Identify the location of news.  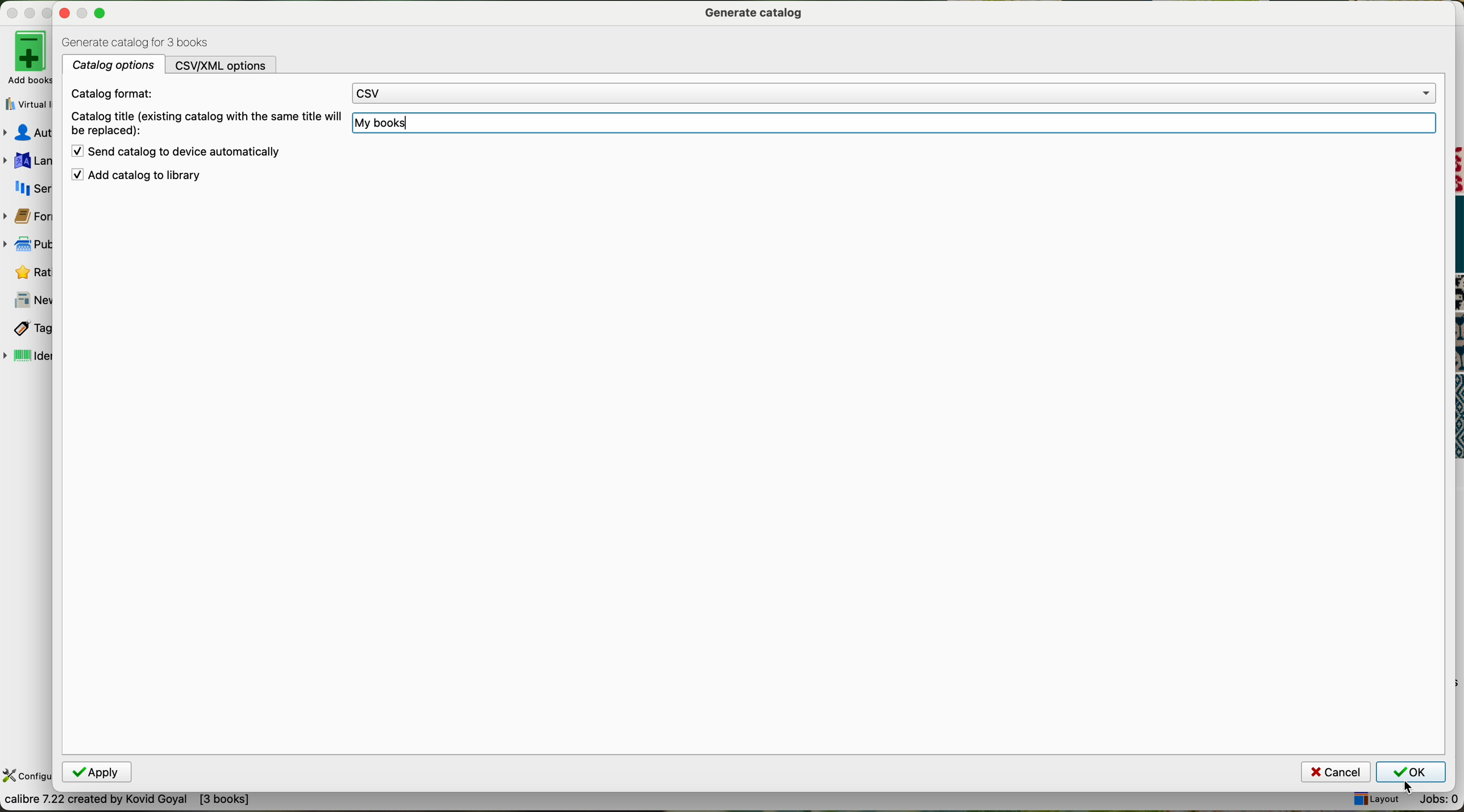
(24, 301).